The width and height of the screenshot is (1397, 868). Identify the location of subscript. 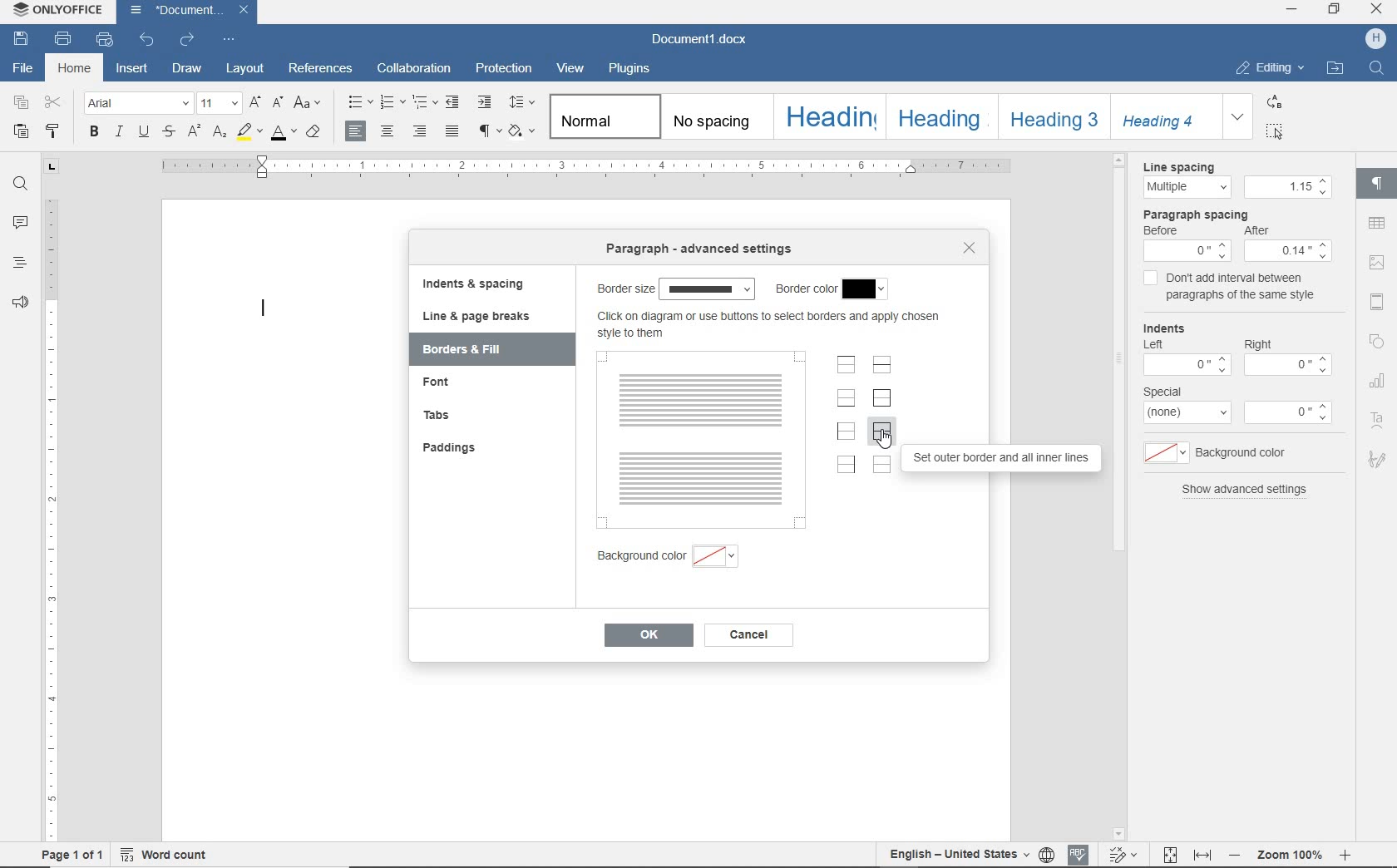
(217, 133).